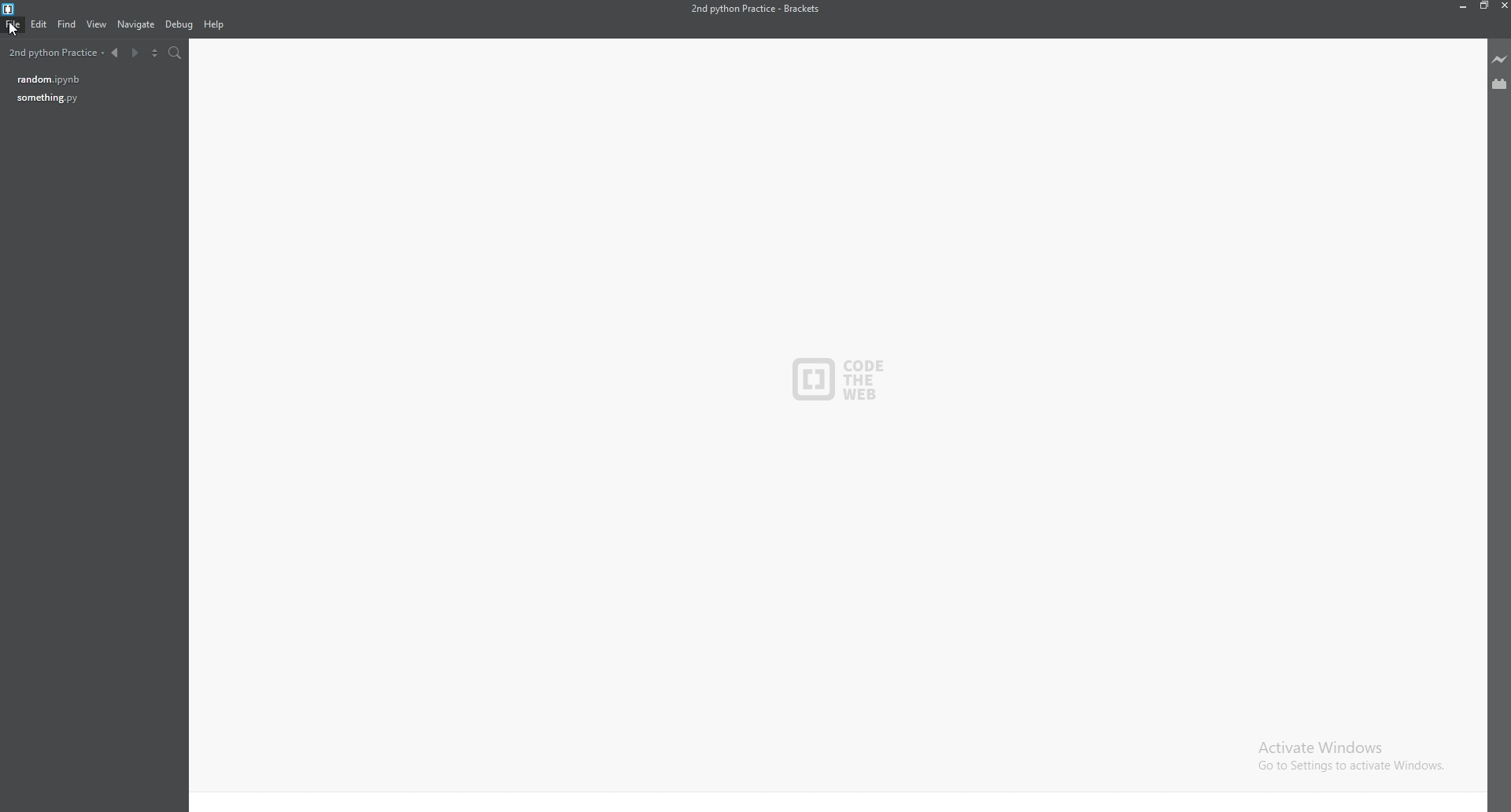  I want to click on 2nd python practice - brackets, so click(759, 9).